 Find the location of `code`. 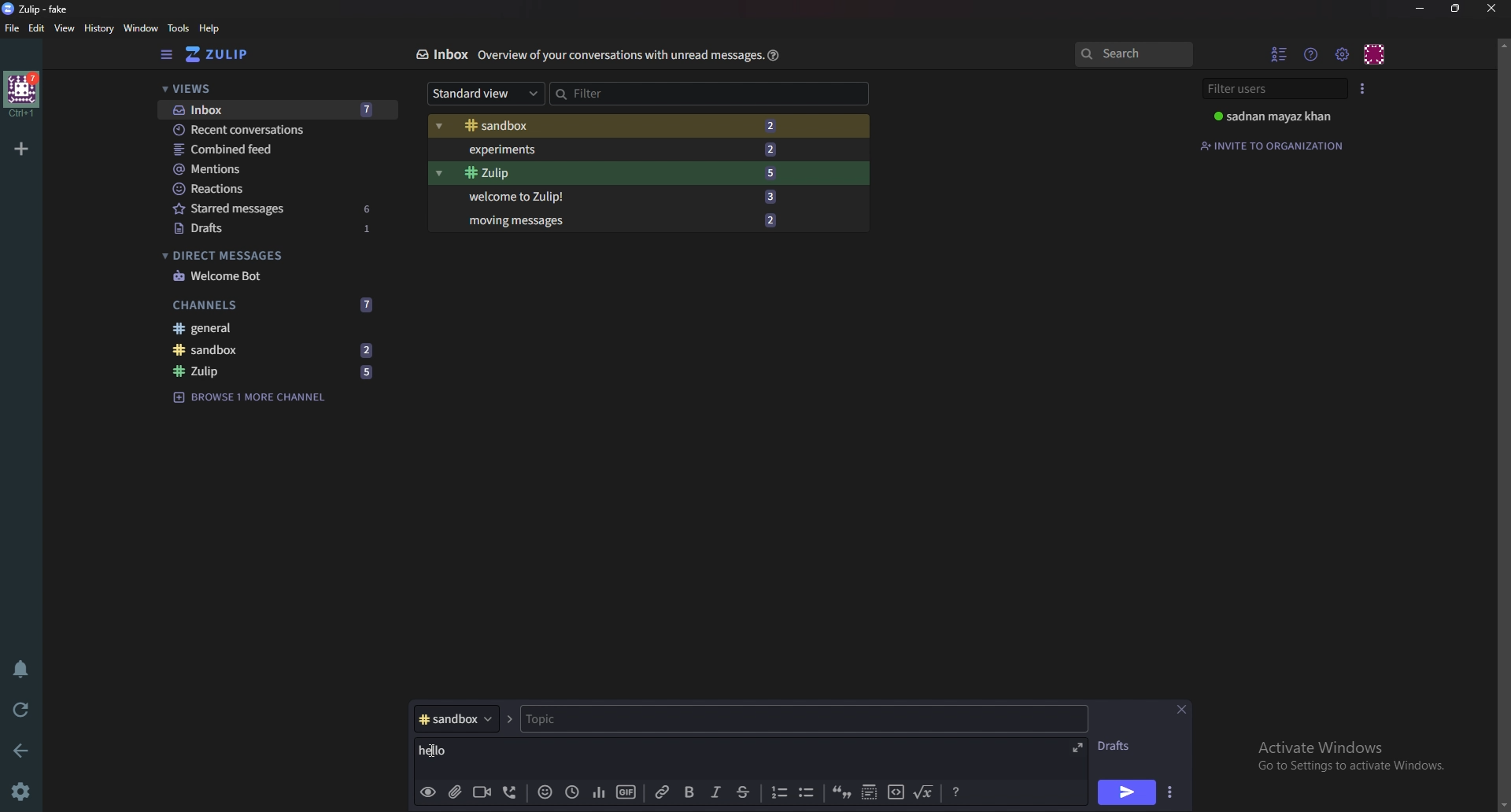

code is located at coordinates (896, 793).